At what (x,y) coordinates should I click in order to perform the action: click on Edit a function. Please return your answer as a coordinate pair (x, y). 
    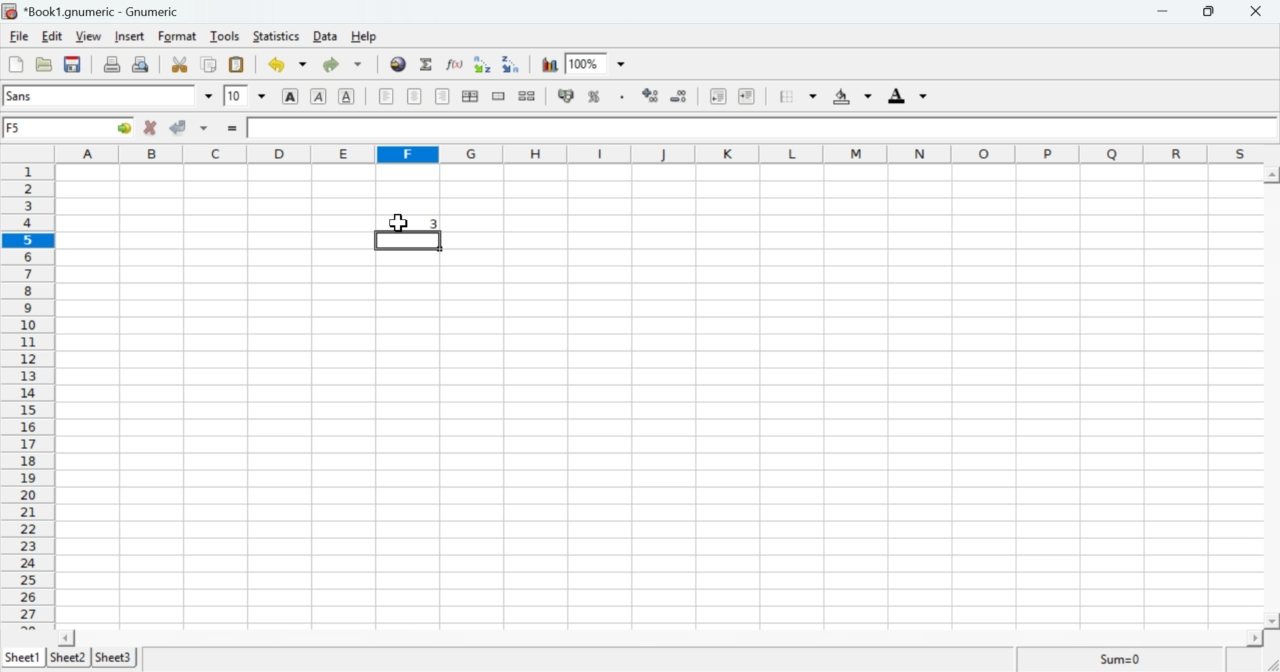
    Looking at the image, I should click on (455, 63).